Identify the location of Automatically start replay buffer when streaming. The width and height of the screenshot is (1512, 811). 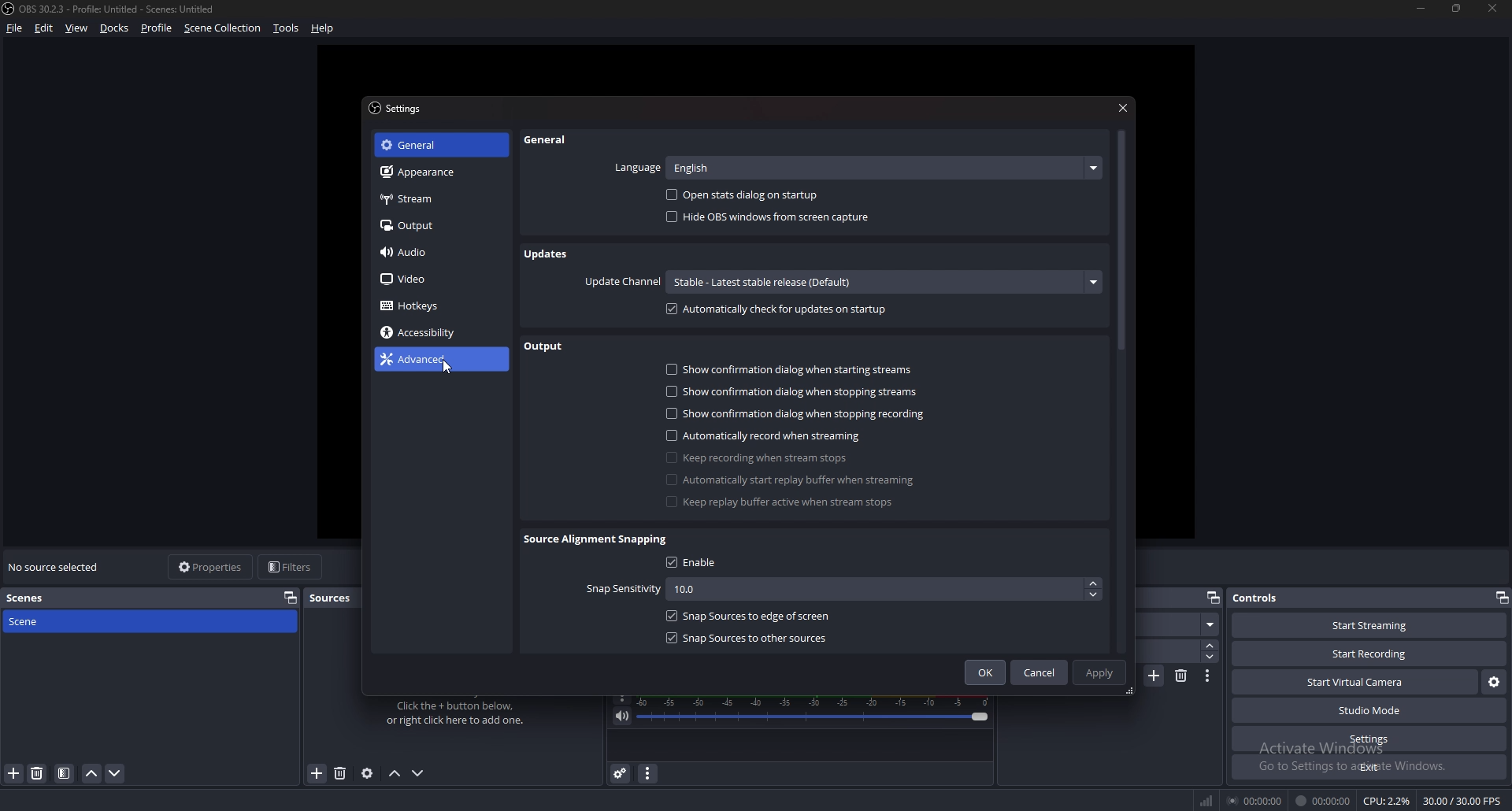
(790, 480).